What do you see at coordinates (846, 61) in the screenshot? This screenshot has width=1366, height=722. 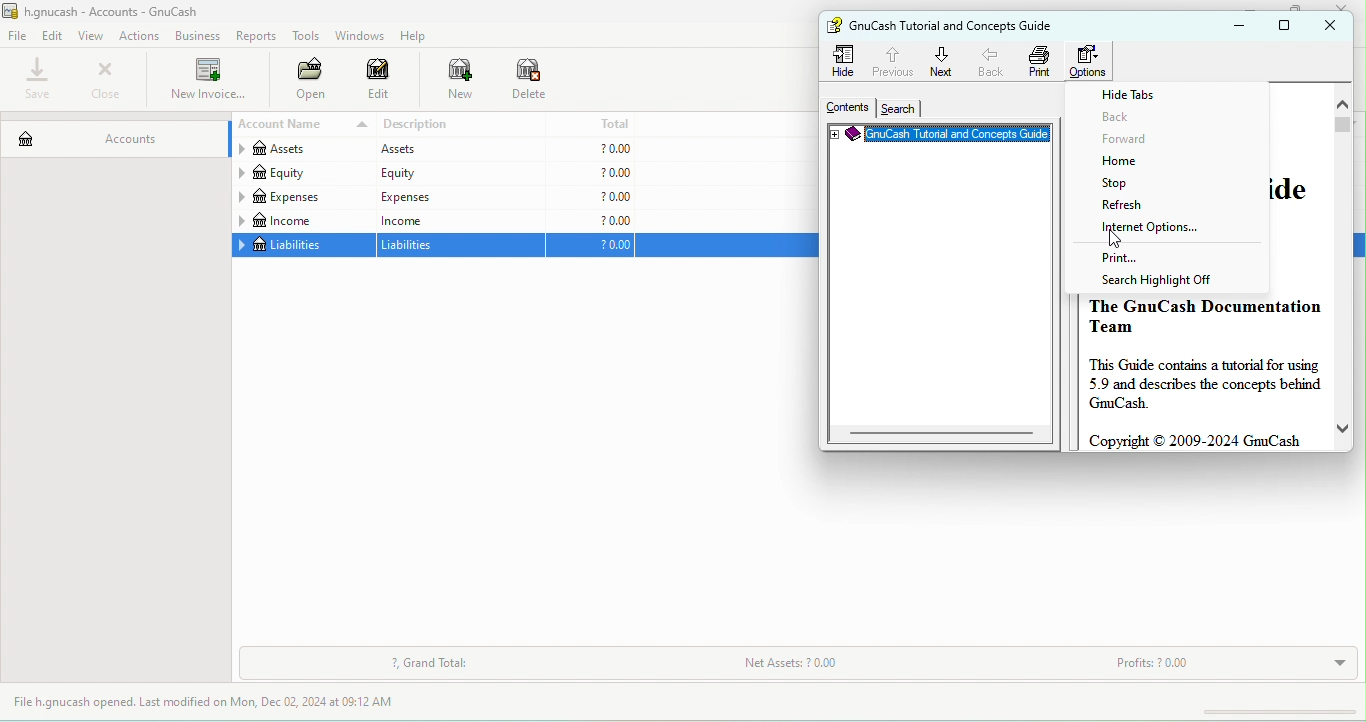 I see `hide` at bounding box center [846, 61].